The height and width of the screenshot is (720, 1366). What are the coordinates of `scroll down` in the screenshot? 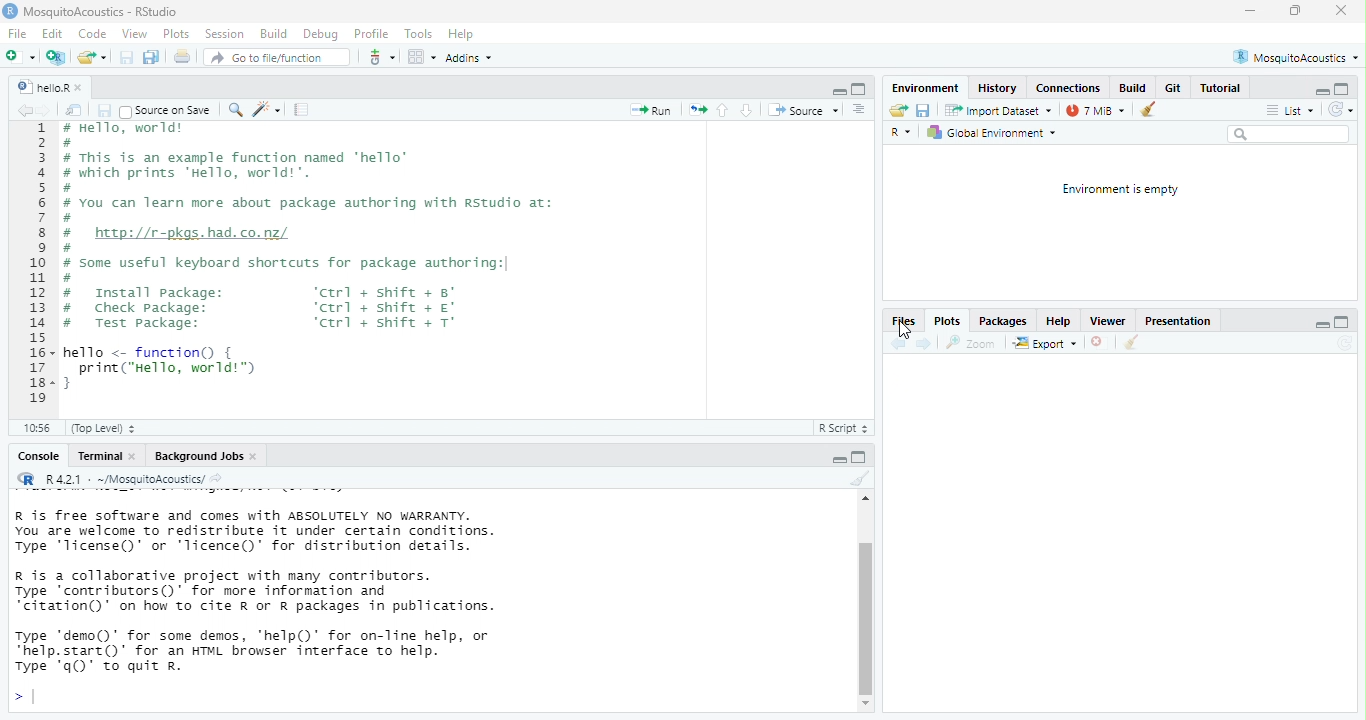 It's located at (863, 704).